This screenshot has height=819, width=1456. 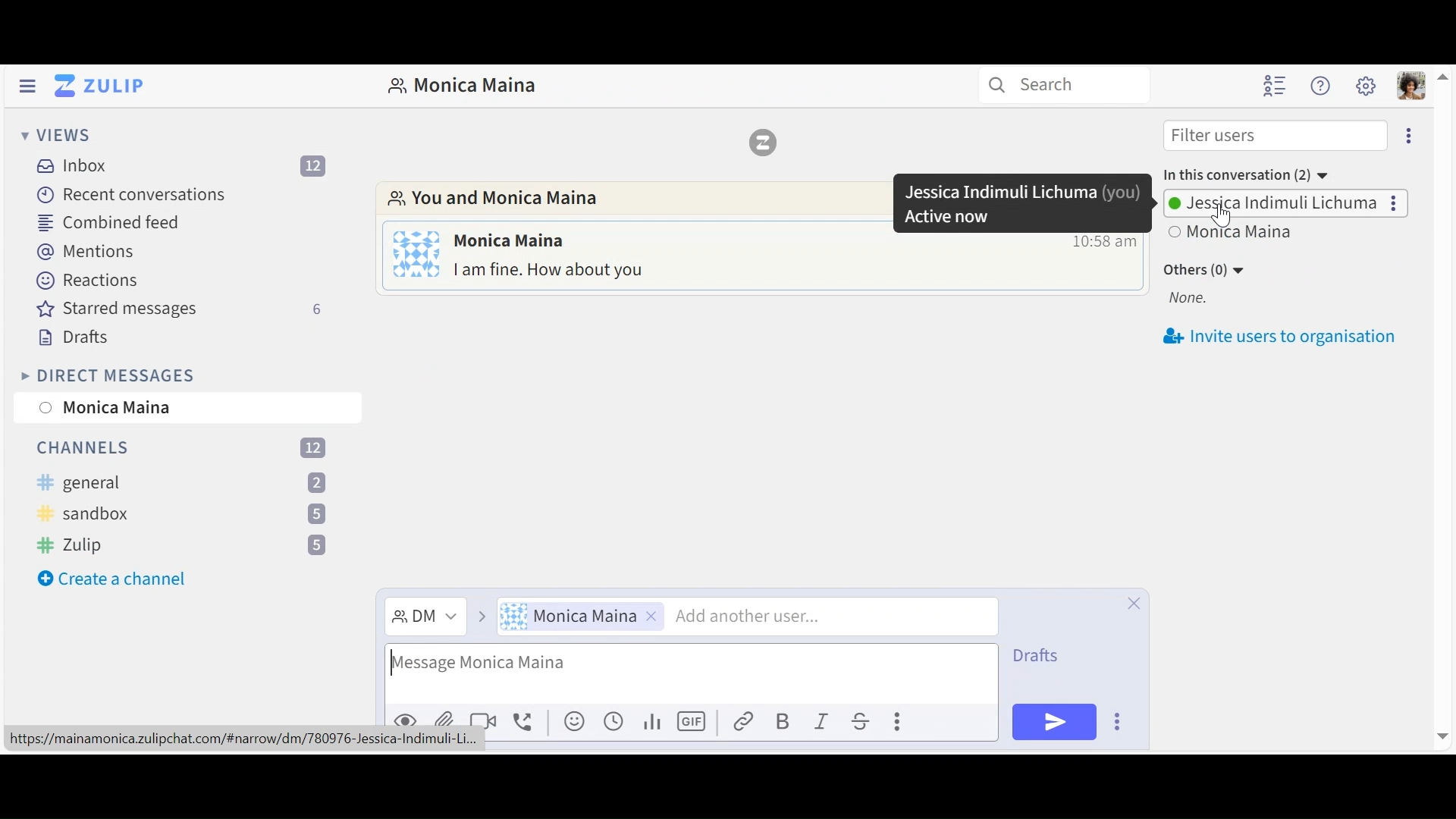 I want to click on Filter users, so click(x=1276, y=136).